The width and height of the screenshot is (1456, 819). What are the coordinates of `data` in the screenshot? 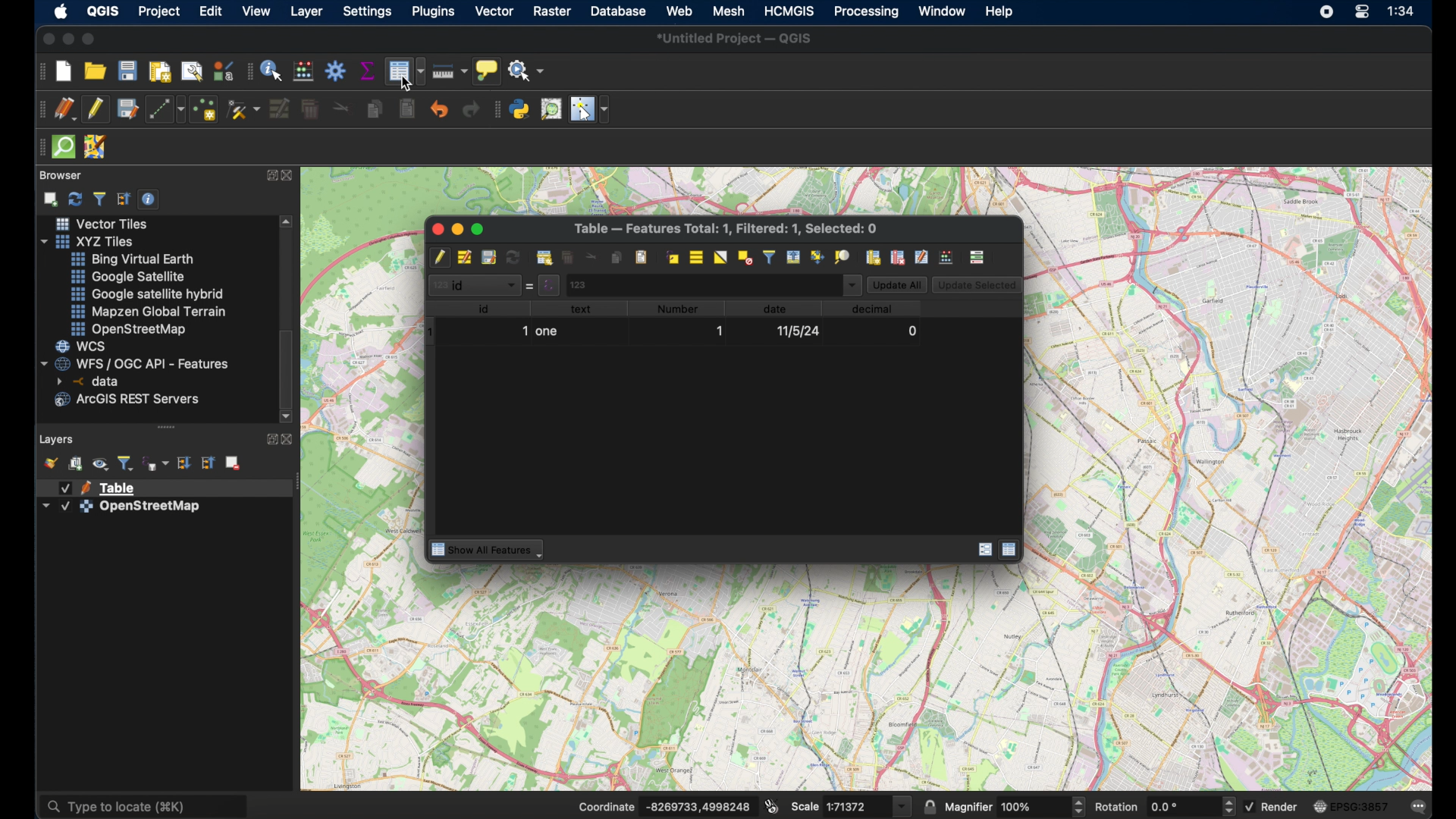 It's located at (773, 309).